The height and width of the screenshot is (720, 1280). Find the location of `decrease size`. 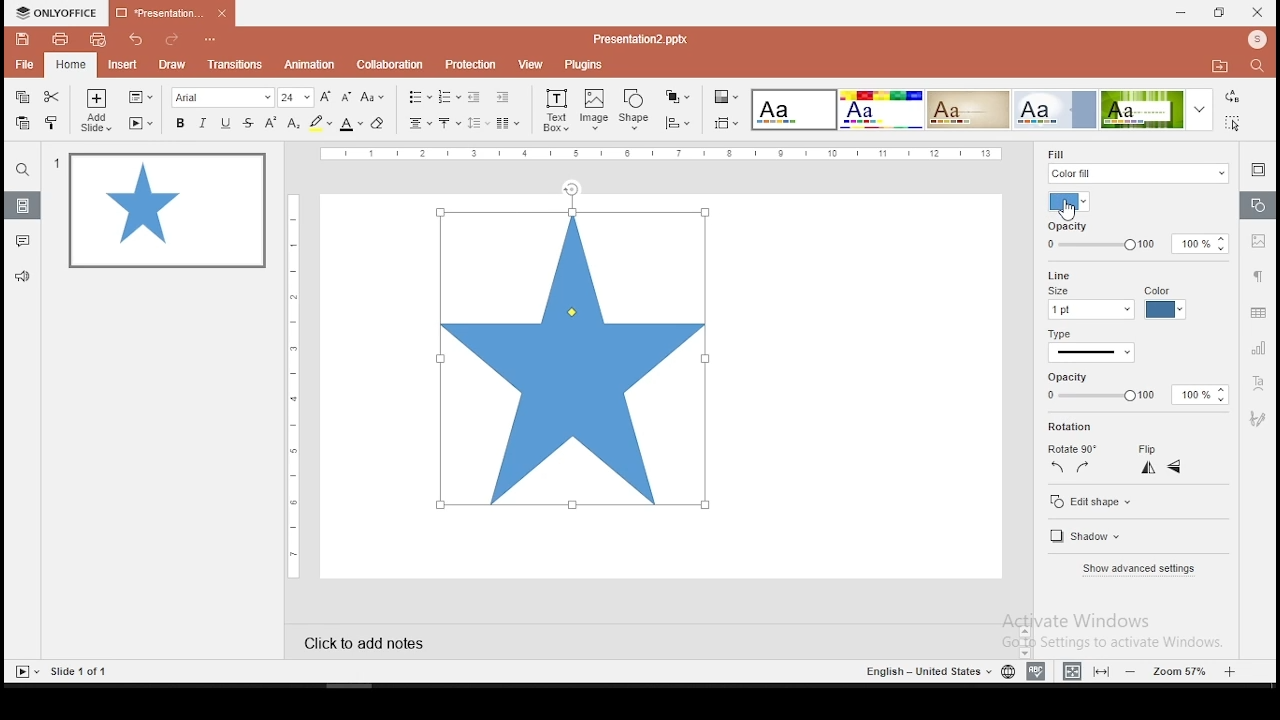

decrease size is located at coordinates (347, 97).